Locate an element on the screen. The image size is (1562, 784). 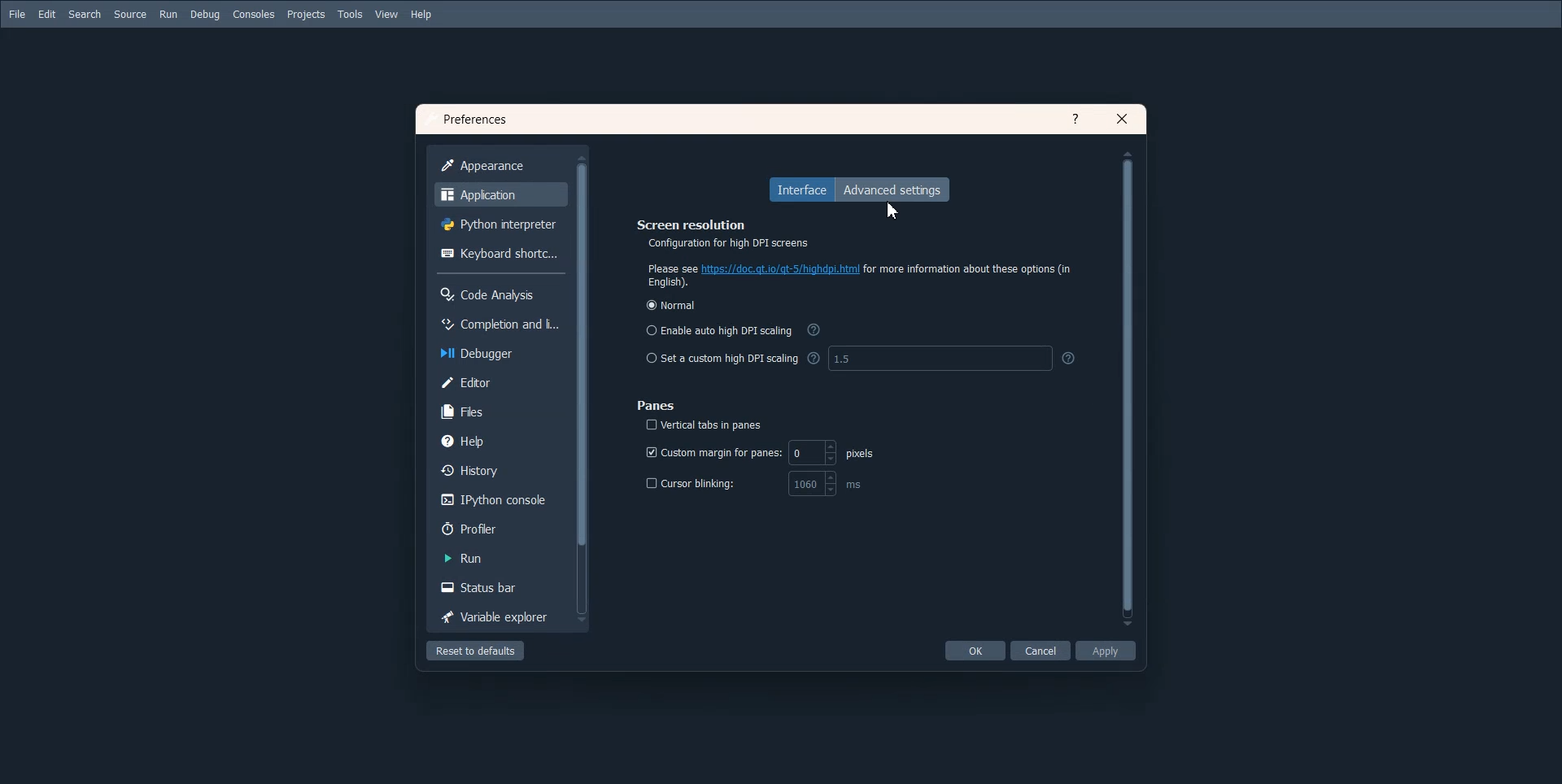
File is located at coordinates (17, 14).